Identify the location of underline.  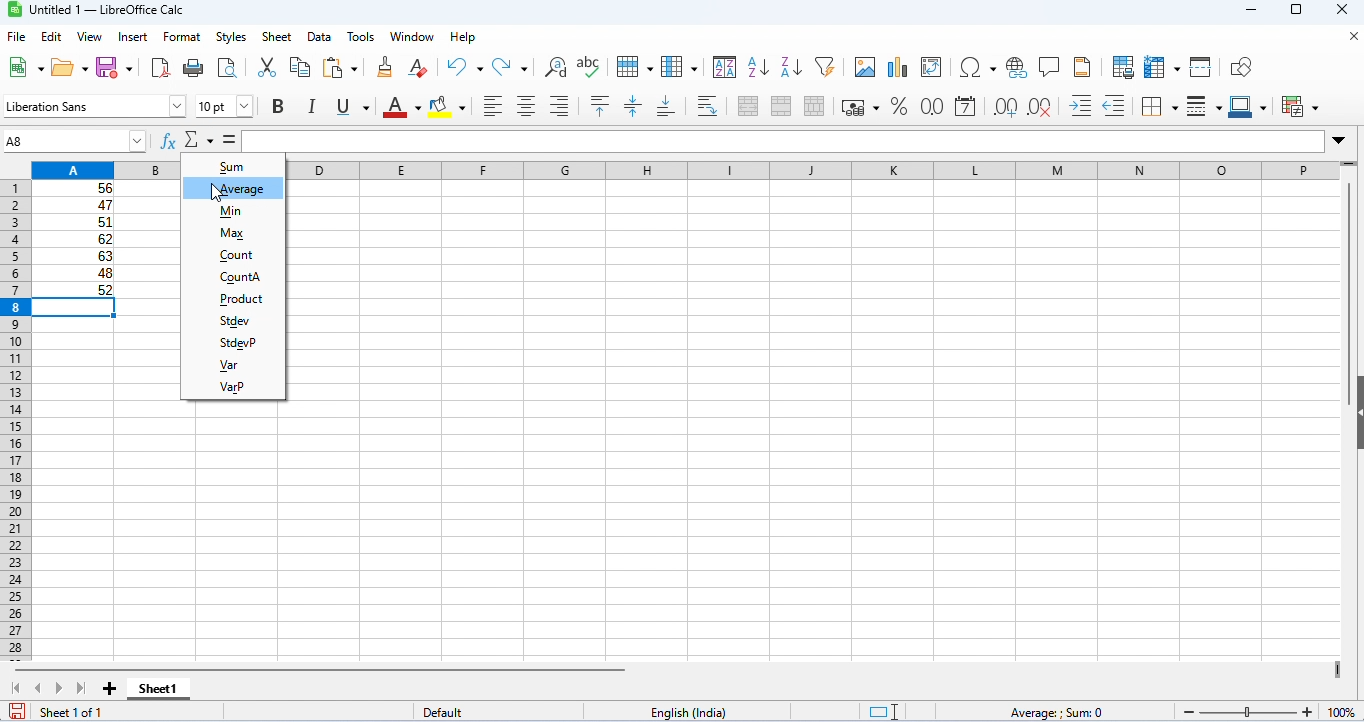
(350, 107).